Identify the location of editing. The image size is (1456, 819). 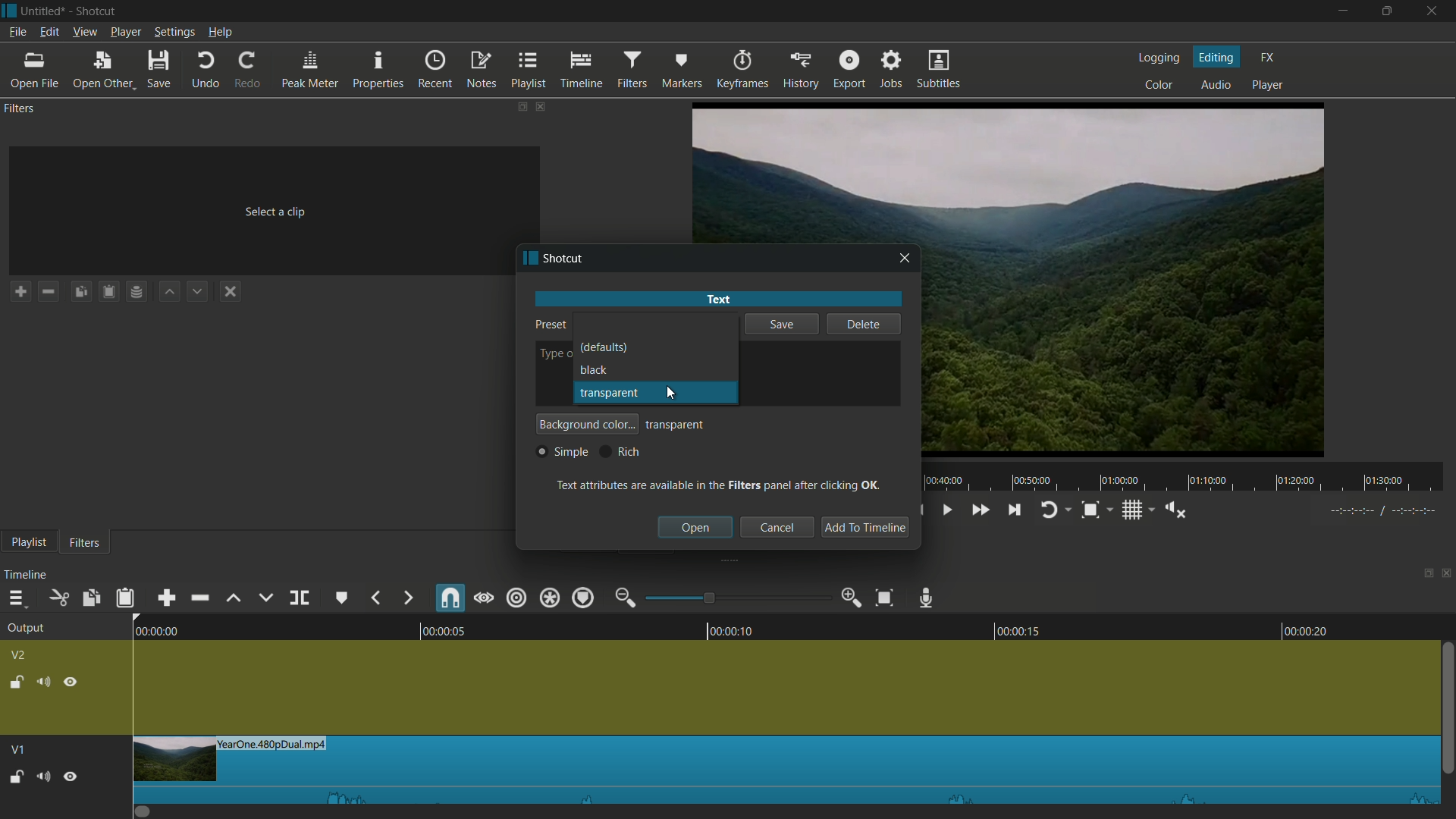
(1217, 57).